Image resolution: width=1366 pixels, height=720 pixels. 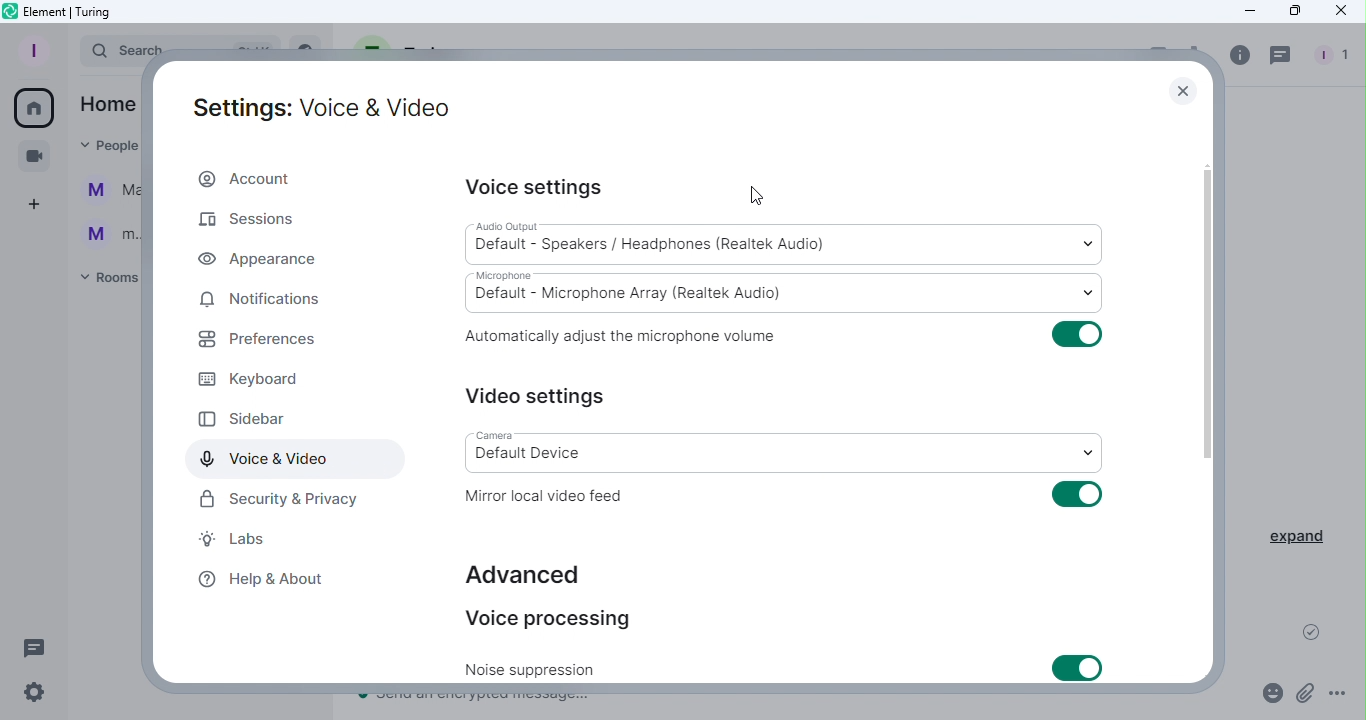 I want to click on Close, so click(x=1179, y=88).